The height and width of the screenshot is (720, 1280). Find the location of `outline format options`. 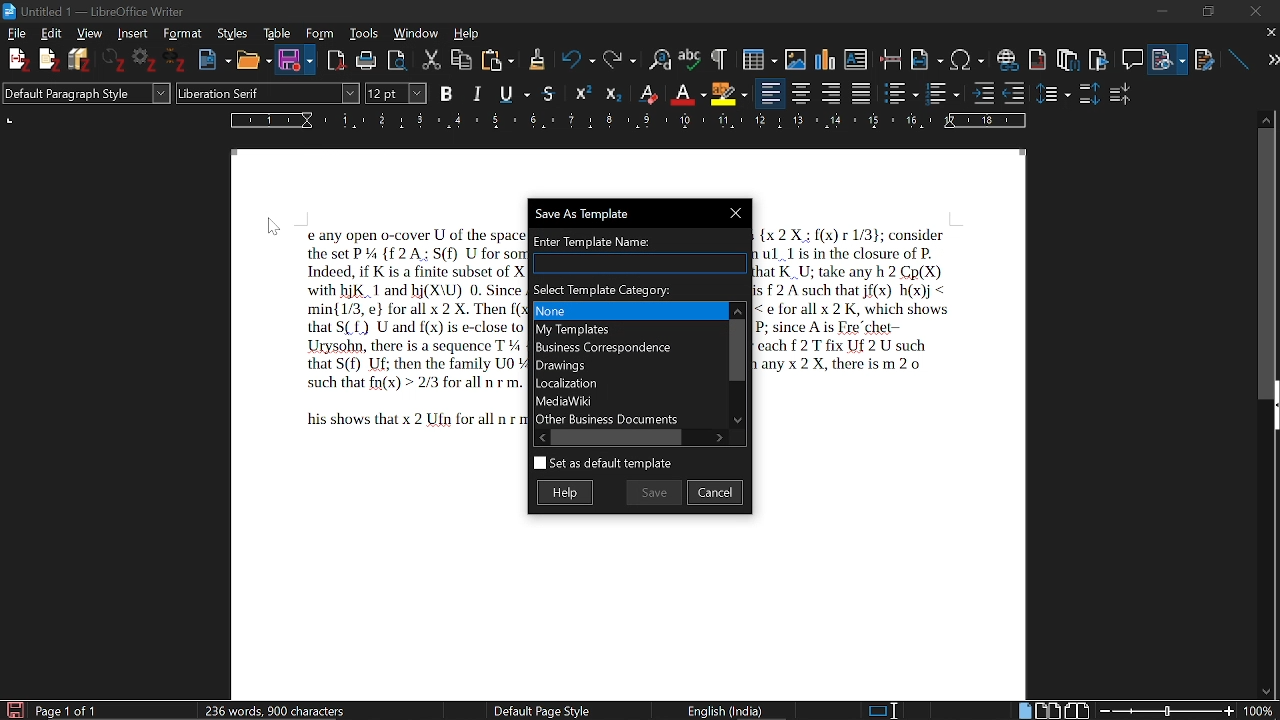

outline format options is located at coordinates (1019, 93).